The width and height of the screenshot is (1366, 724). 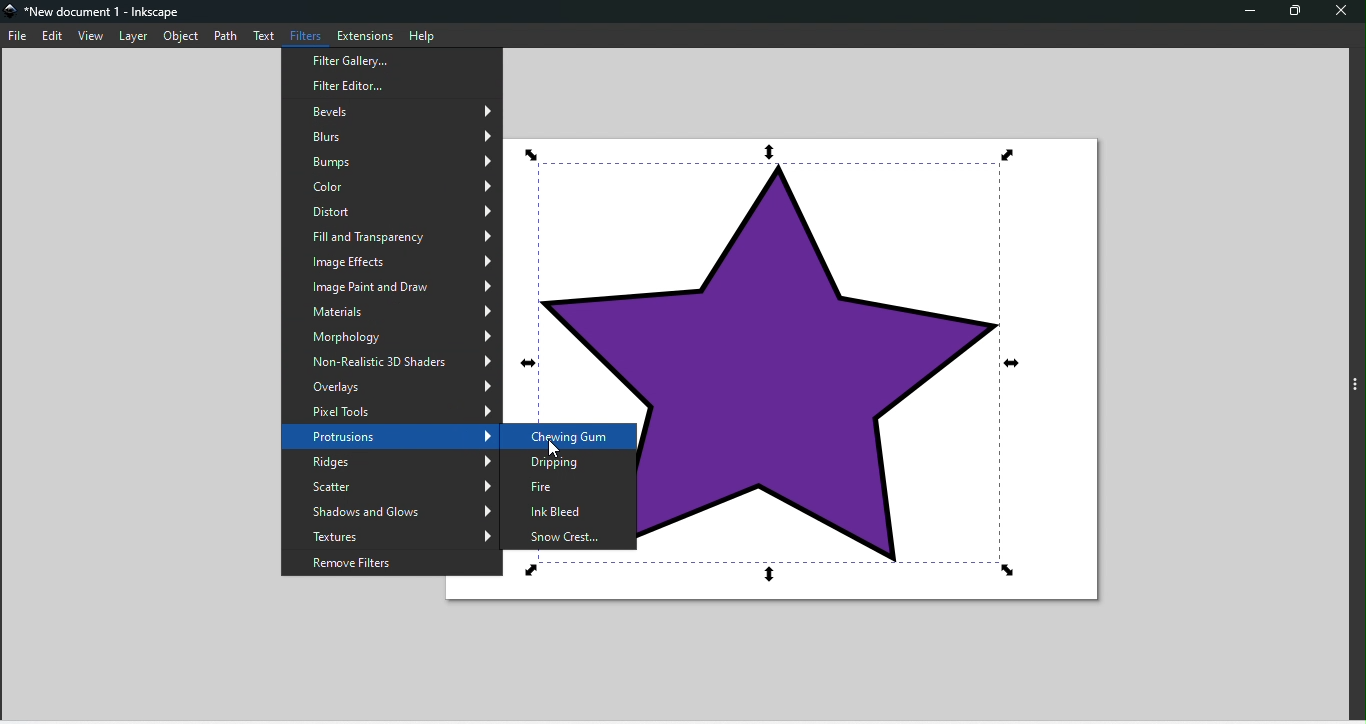 What do you see at coordinates (389, 233) in the screenshot?
I see `Fill and Transparency` at bounding box center [389, 233].